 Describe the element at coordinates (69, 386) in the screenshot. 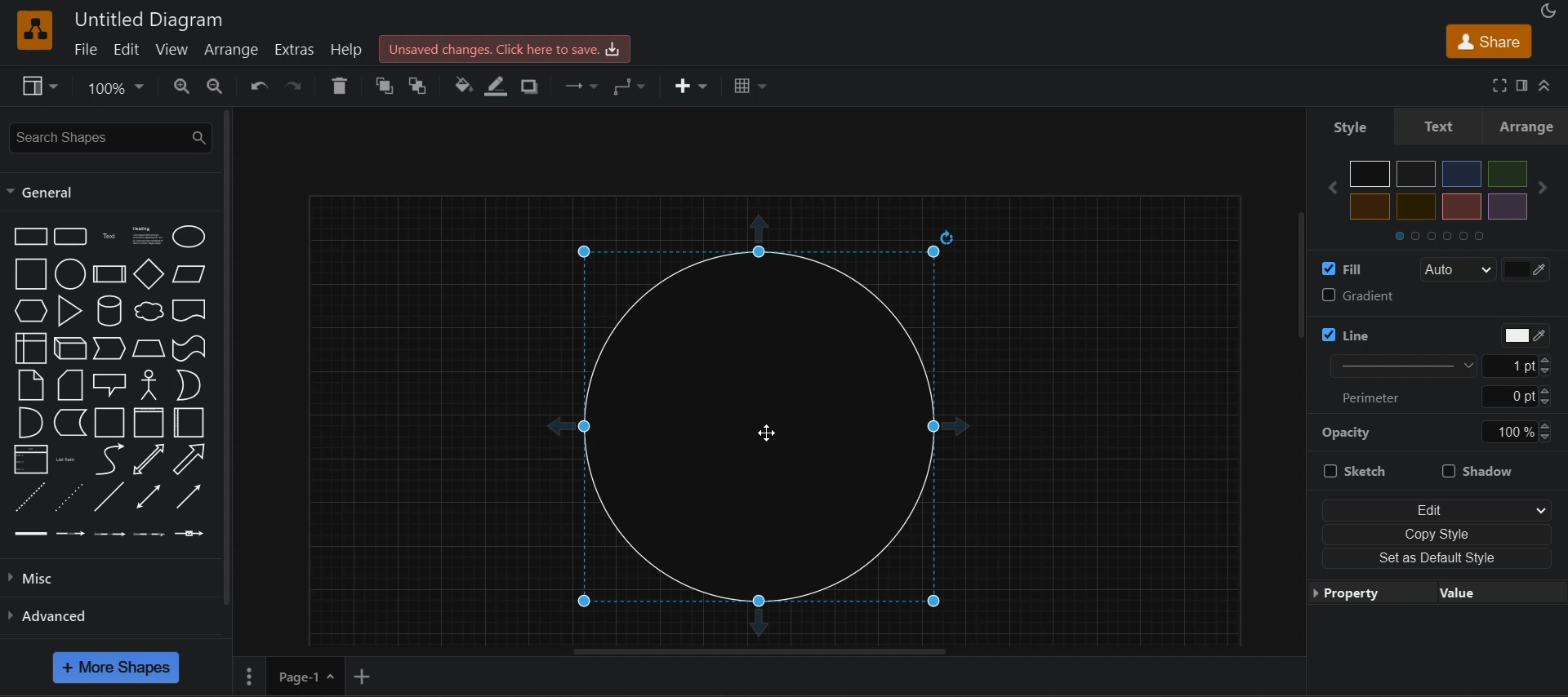

I see `card` at that location.